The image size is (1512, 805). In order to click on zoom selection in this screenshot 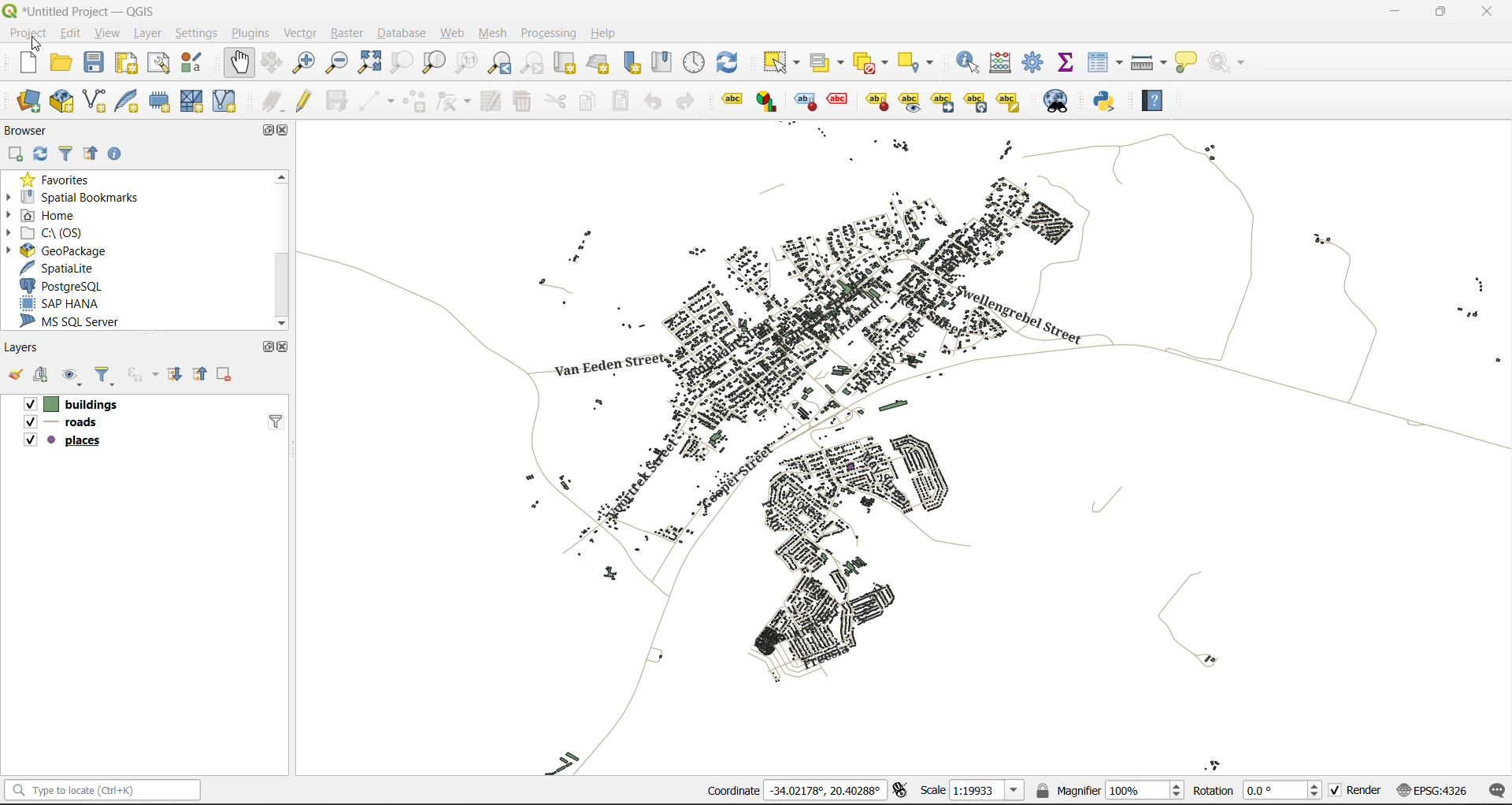, I will do `click(398, 63)`.